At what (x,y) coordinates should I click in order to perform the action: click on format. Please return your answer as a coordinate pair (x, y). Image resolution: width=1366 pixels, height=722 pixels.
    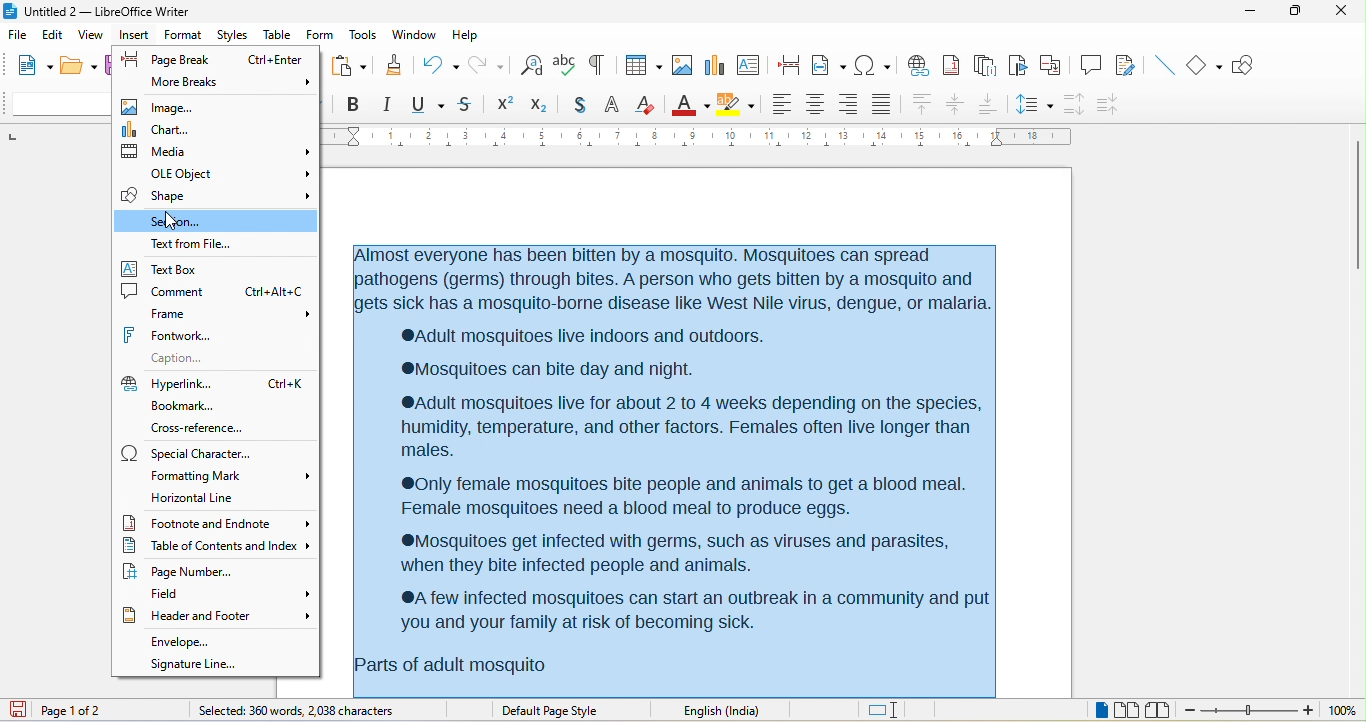
    Looking at the image, I should click on (182, 35).